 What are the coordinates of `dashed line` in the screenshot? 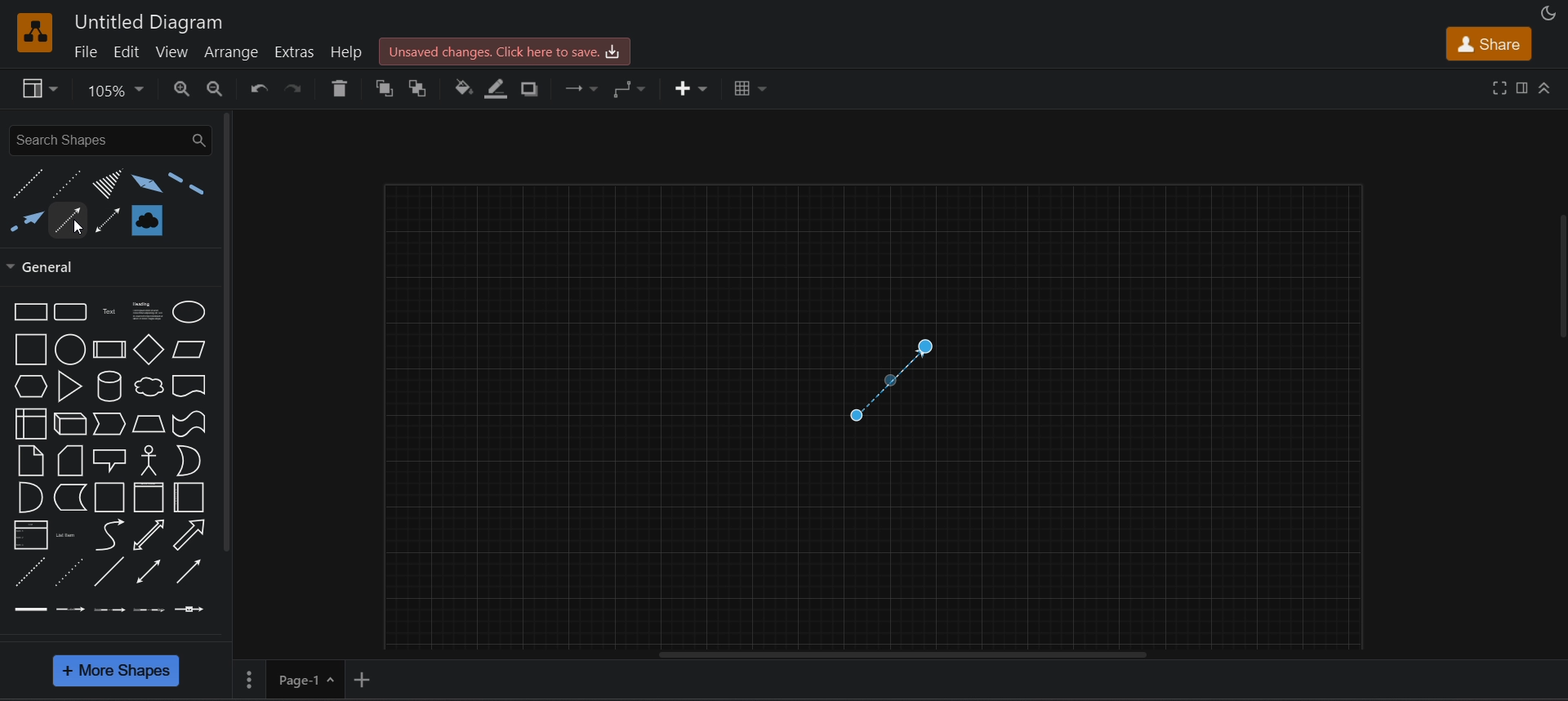 It's located at (25, 571).